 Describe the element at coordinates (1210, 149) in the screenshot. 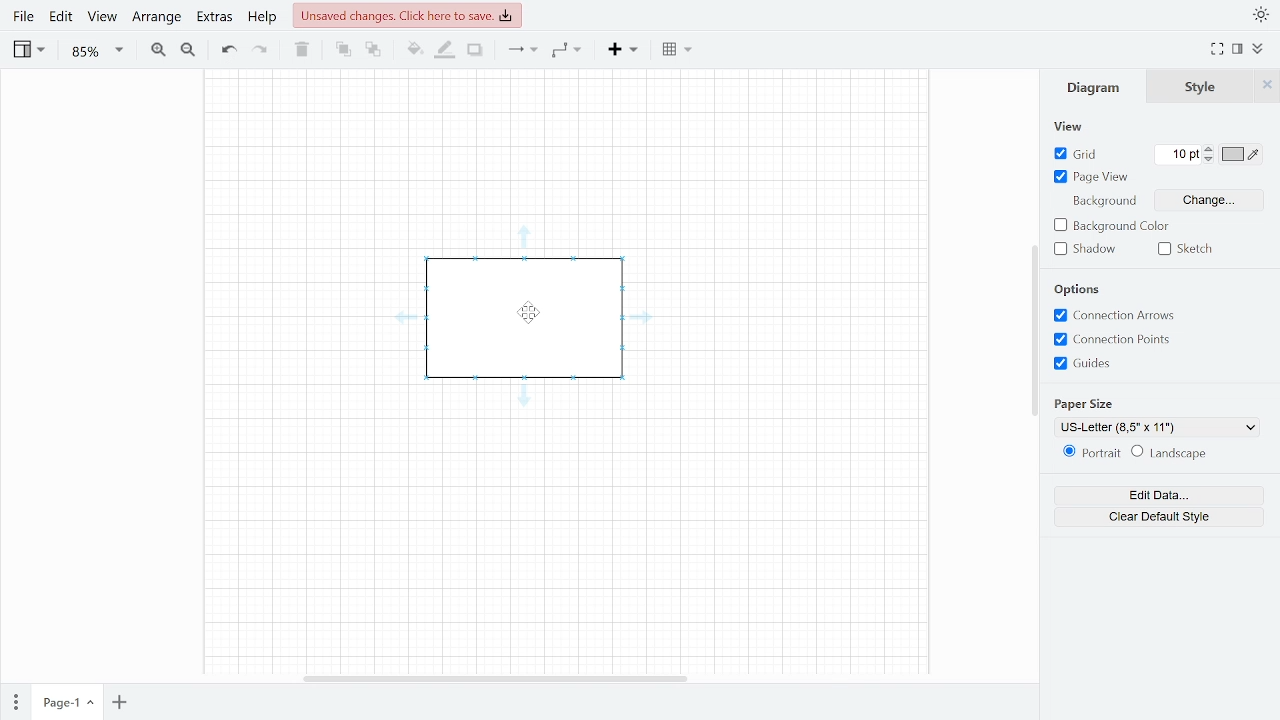

I see `Increase grid count` at that location.